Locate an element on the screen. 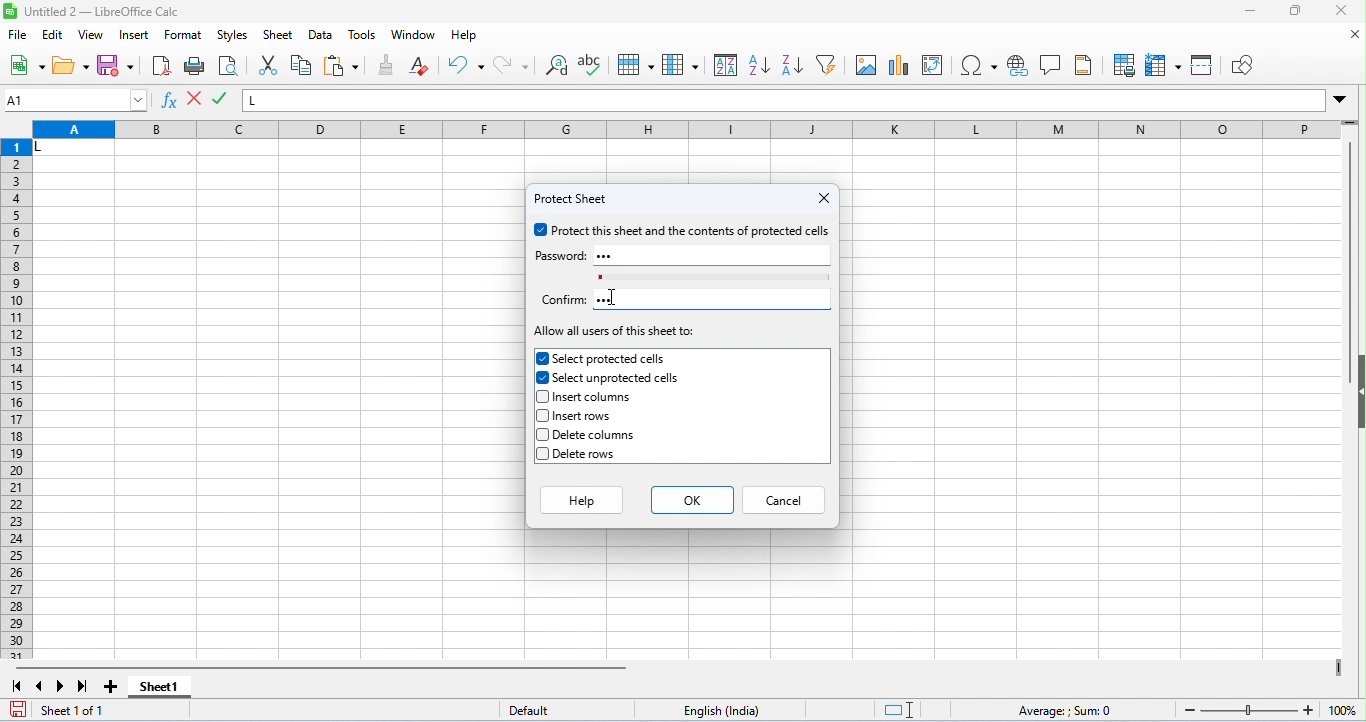 Image resolution: width=1366 pixels, height=722 pixels. new is located at coordinates (27, 67).